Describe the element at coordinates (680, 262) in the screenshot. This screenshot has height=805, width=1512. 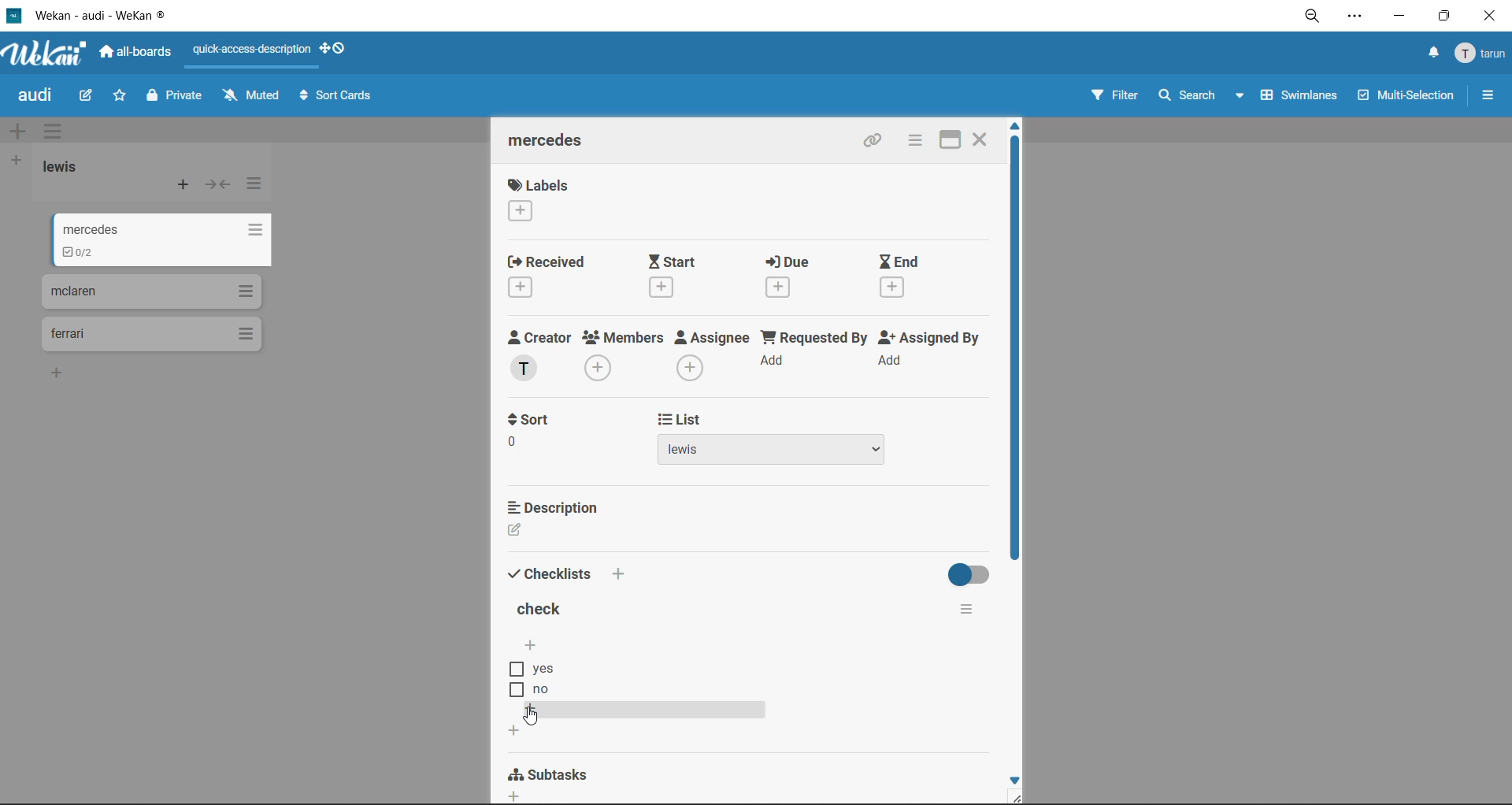
I see `start` at that location.